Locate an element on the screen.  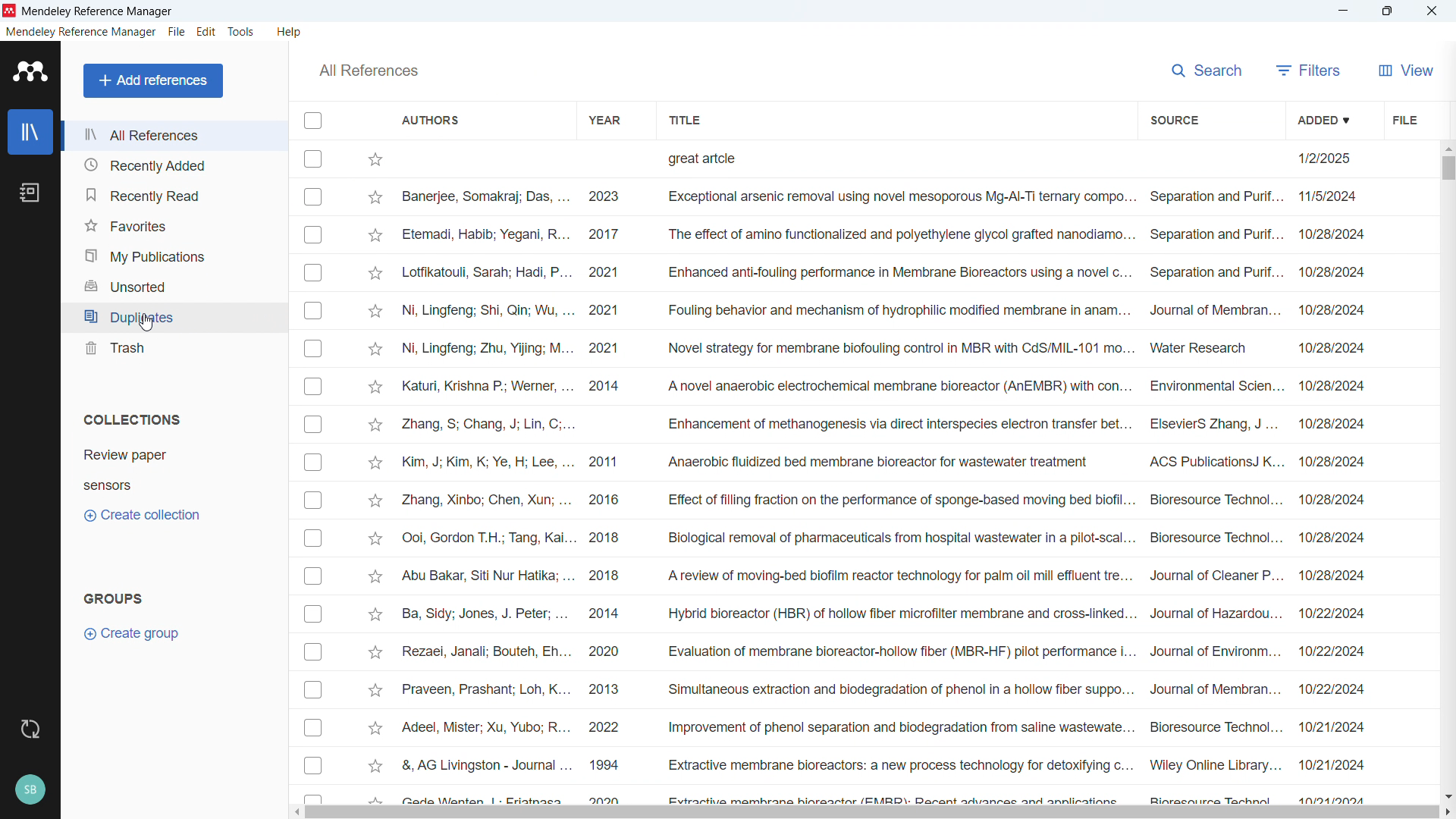
Notebook  is located at coordinates (30, 193).